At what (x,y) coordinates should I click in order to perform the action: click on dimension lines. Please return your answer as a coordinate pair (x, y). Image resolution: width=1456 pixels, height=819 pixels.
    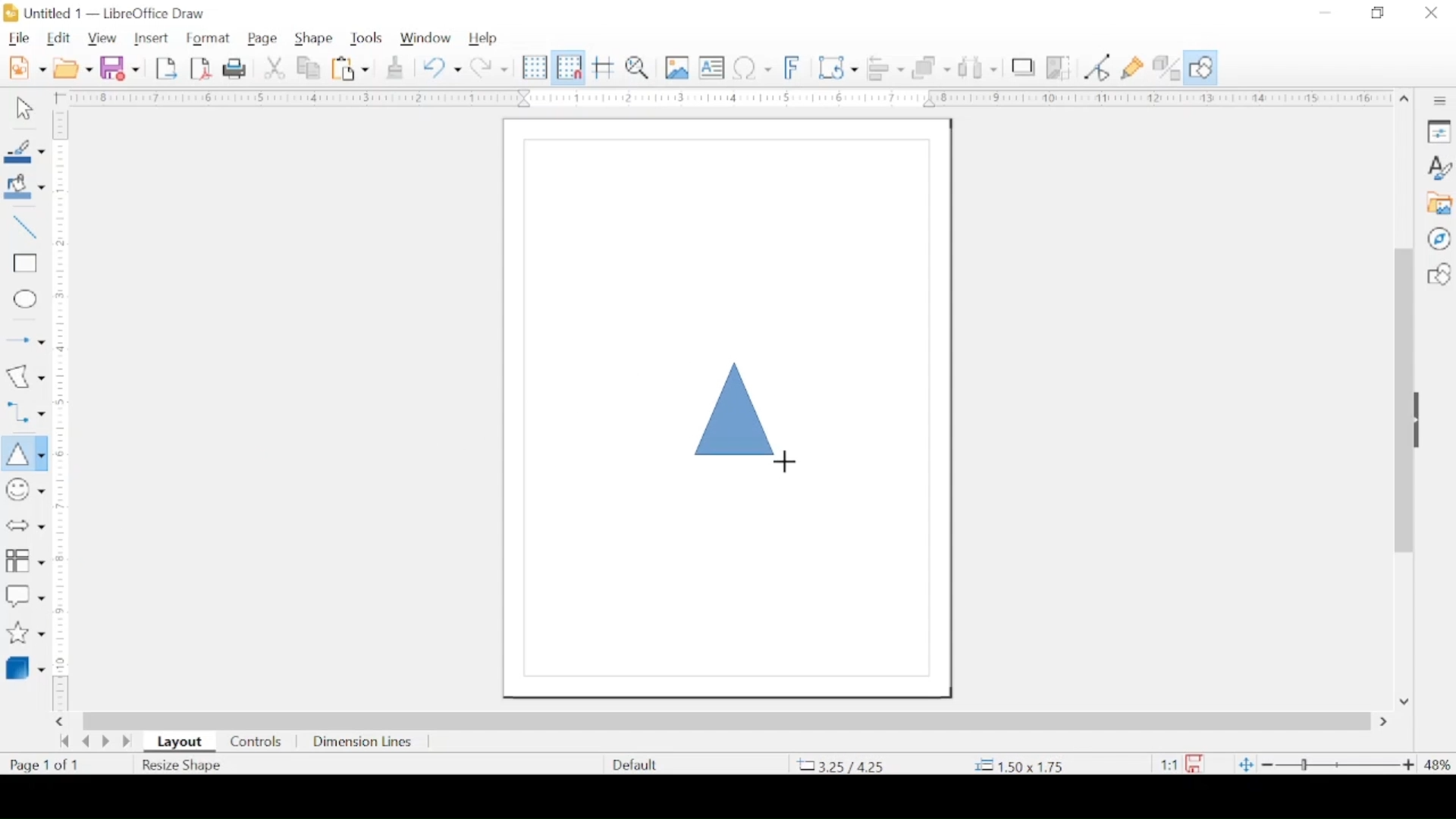
    Looking at the image, I should click on (365, 742).